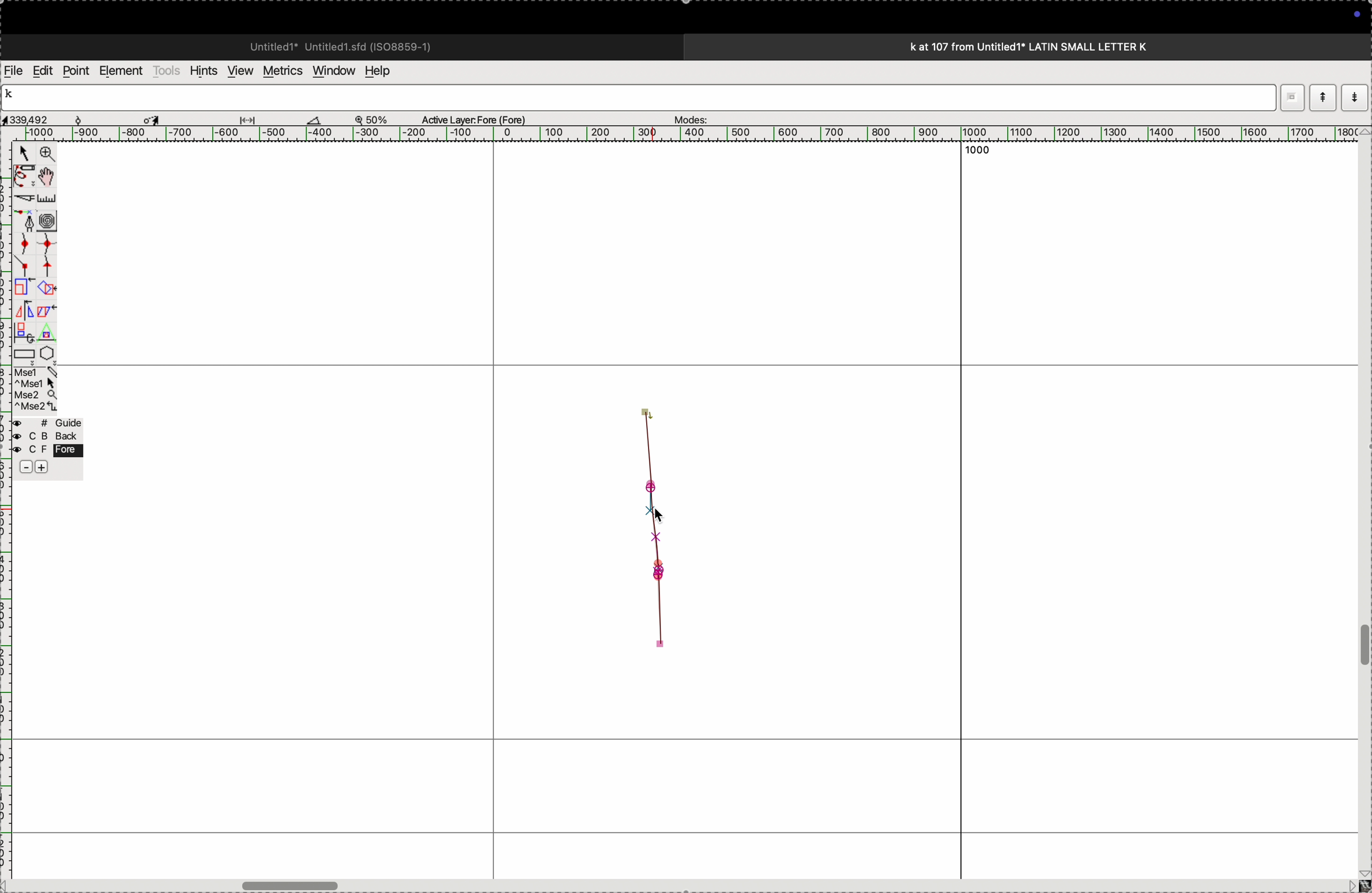 The width and height of the screenshot is (1372, 893). Describe the element at coordinates (661, 515) in the screenshot. I see `cursor` at that location.